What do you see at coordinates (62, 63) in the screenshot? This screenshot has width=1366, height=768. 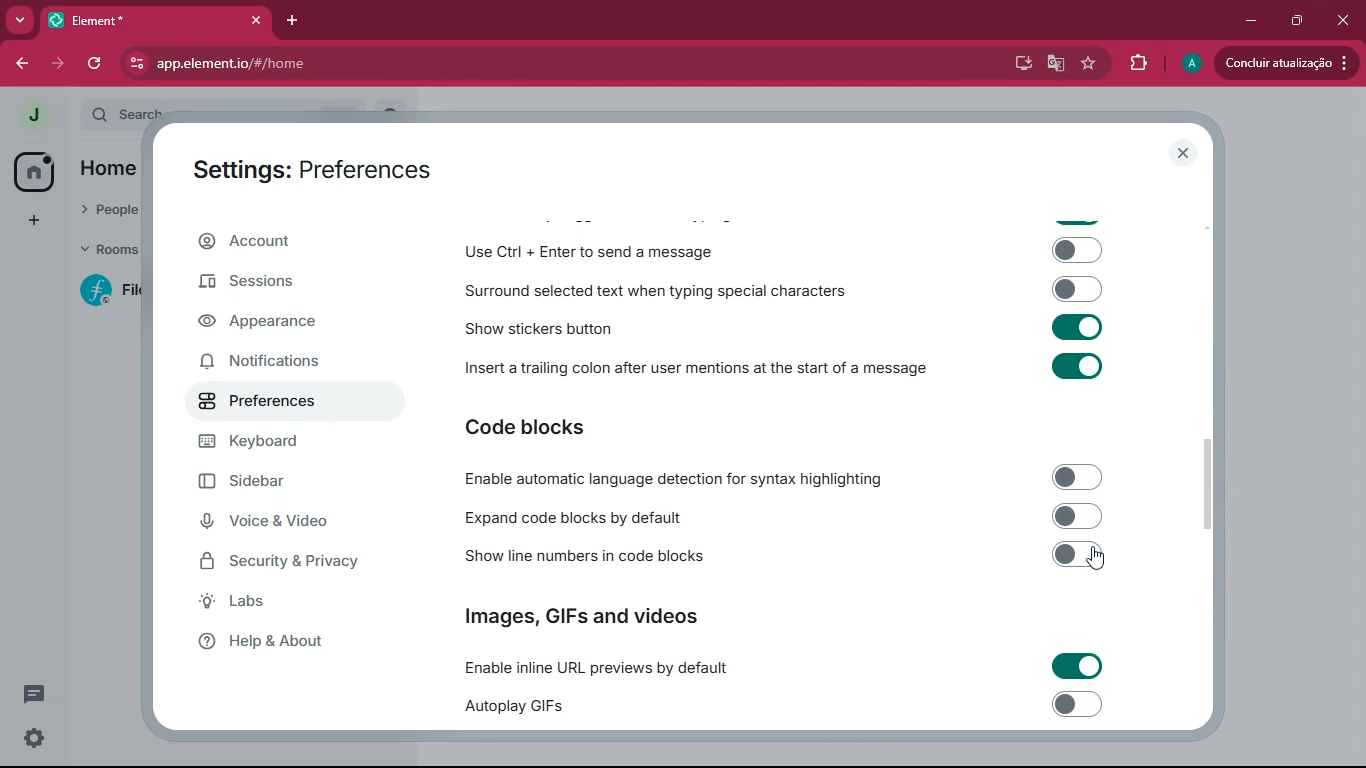 I see `forward` at bounding box center [62, 63].